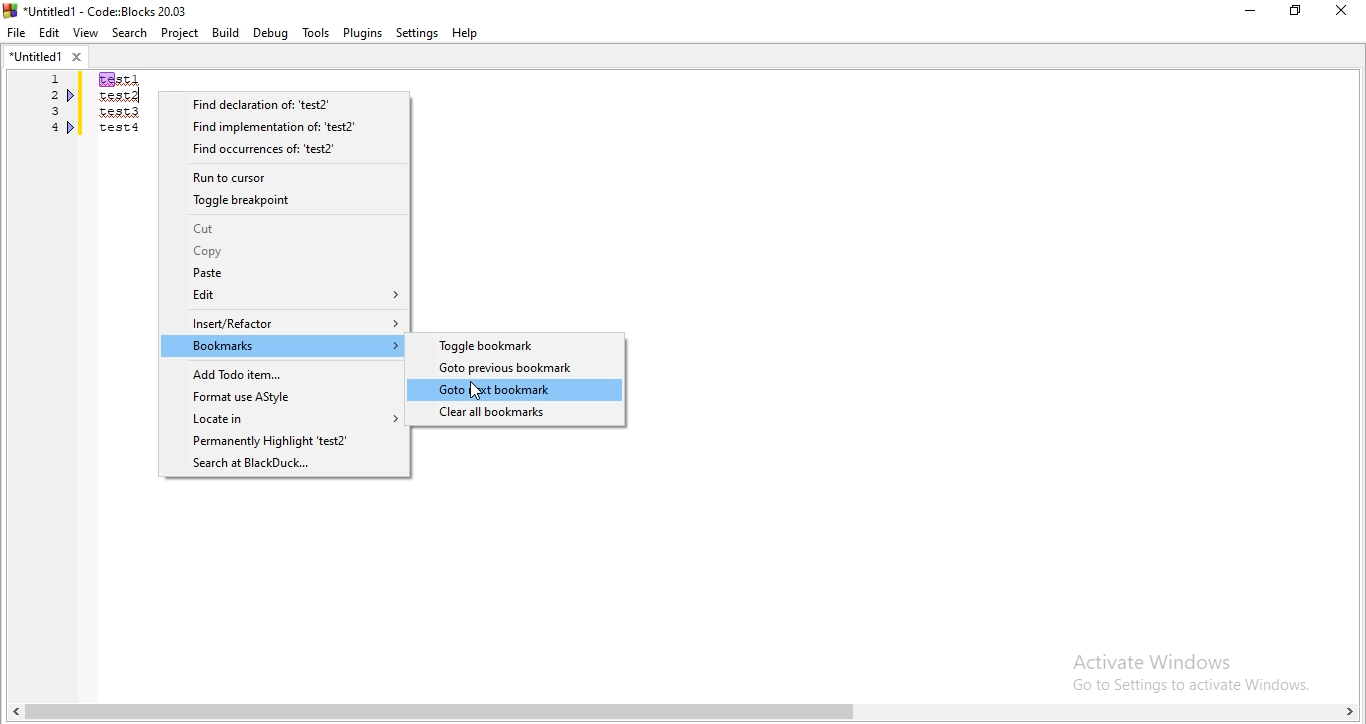  I want to click on Selected Goto txt bookmark, so click(520, 391).